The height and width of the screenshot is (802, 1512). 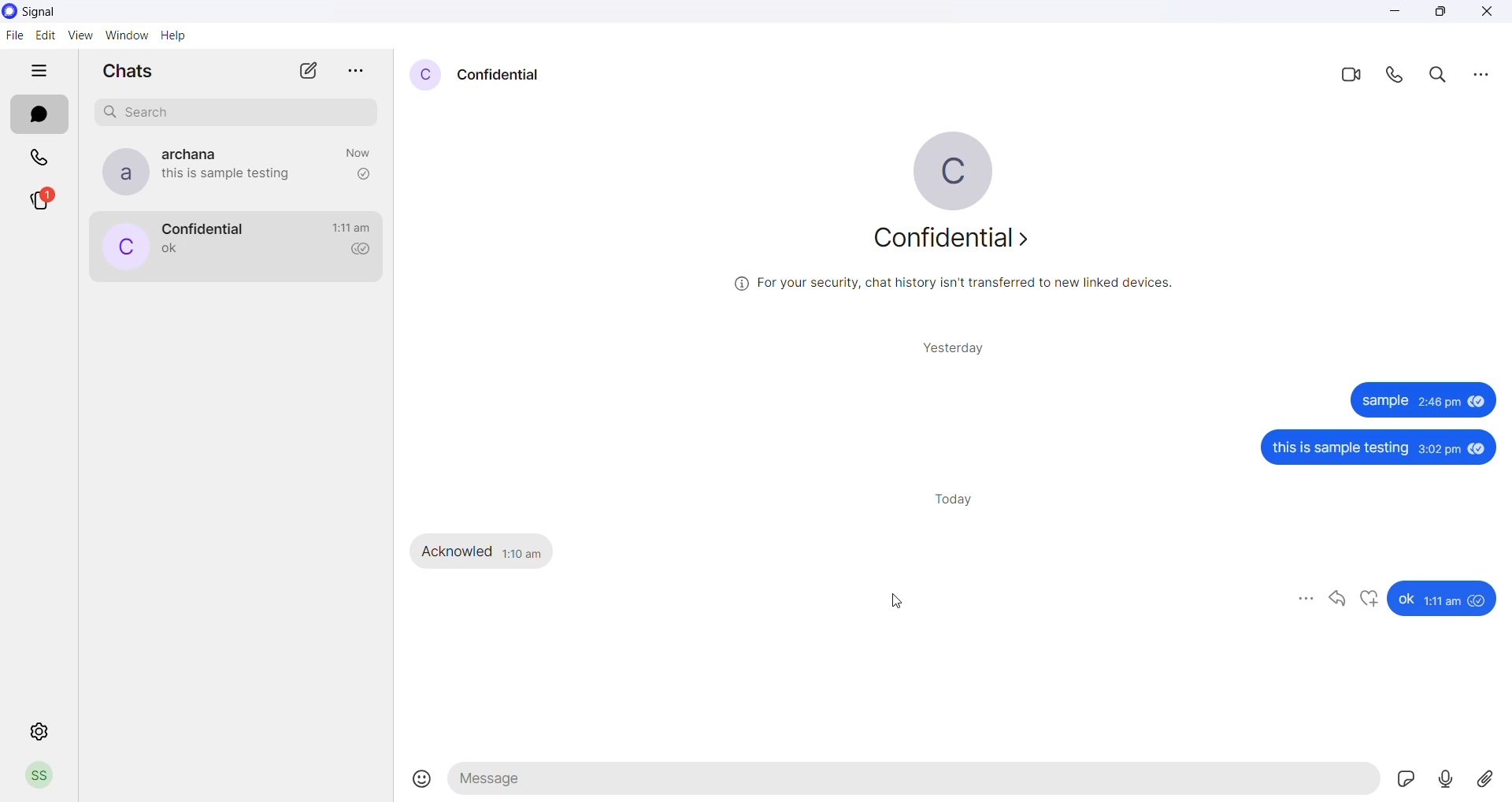 I want to click on contact name, so click(x=199, y=153).